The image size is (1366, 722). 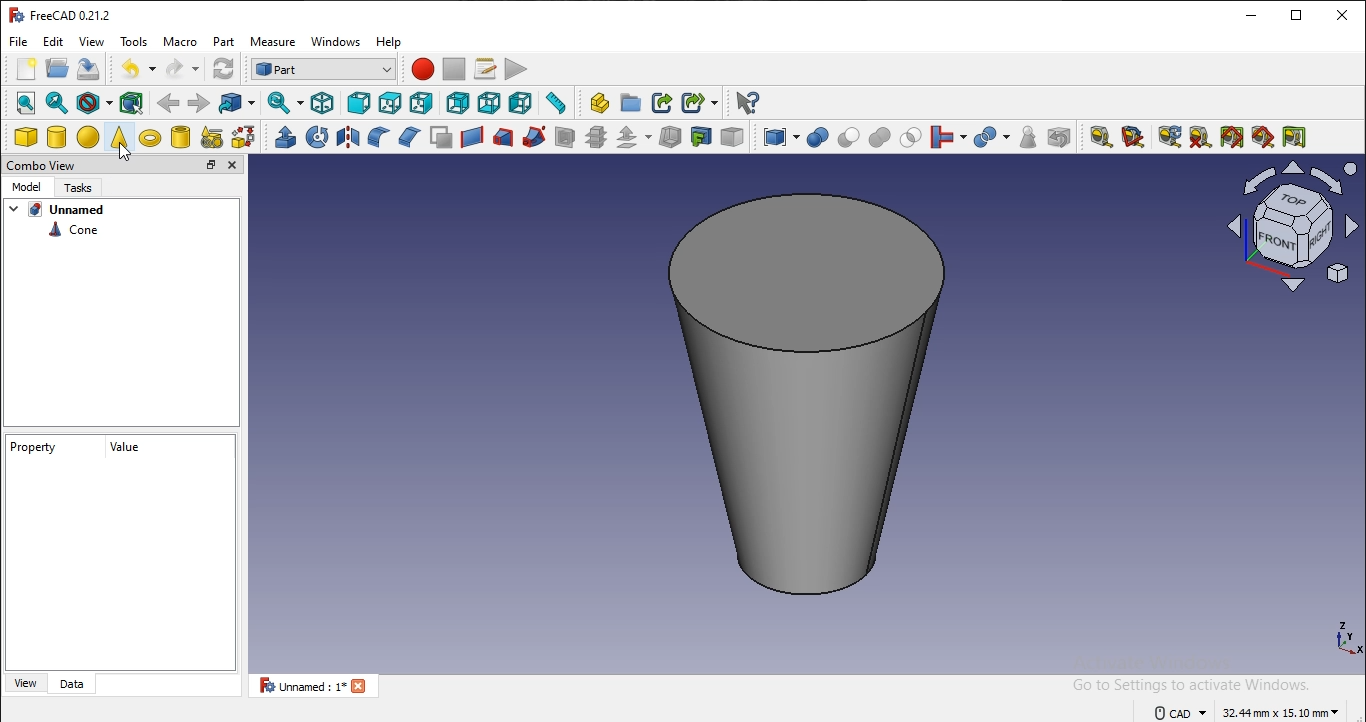 I want to click on create primitive, so click(x=242, y=138).